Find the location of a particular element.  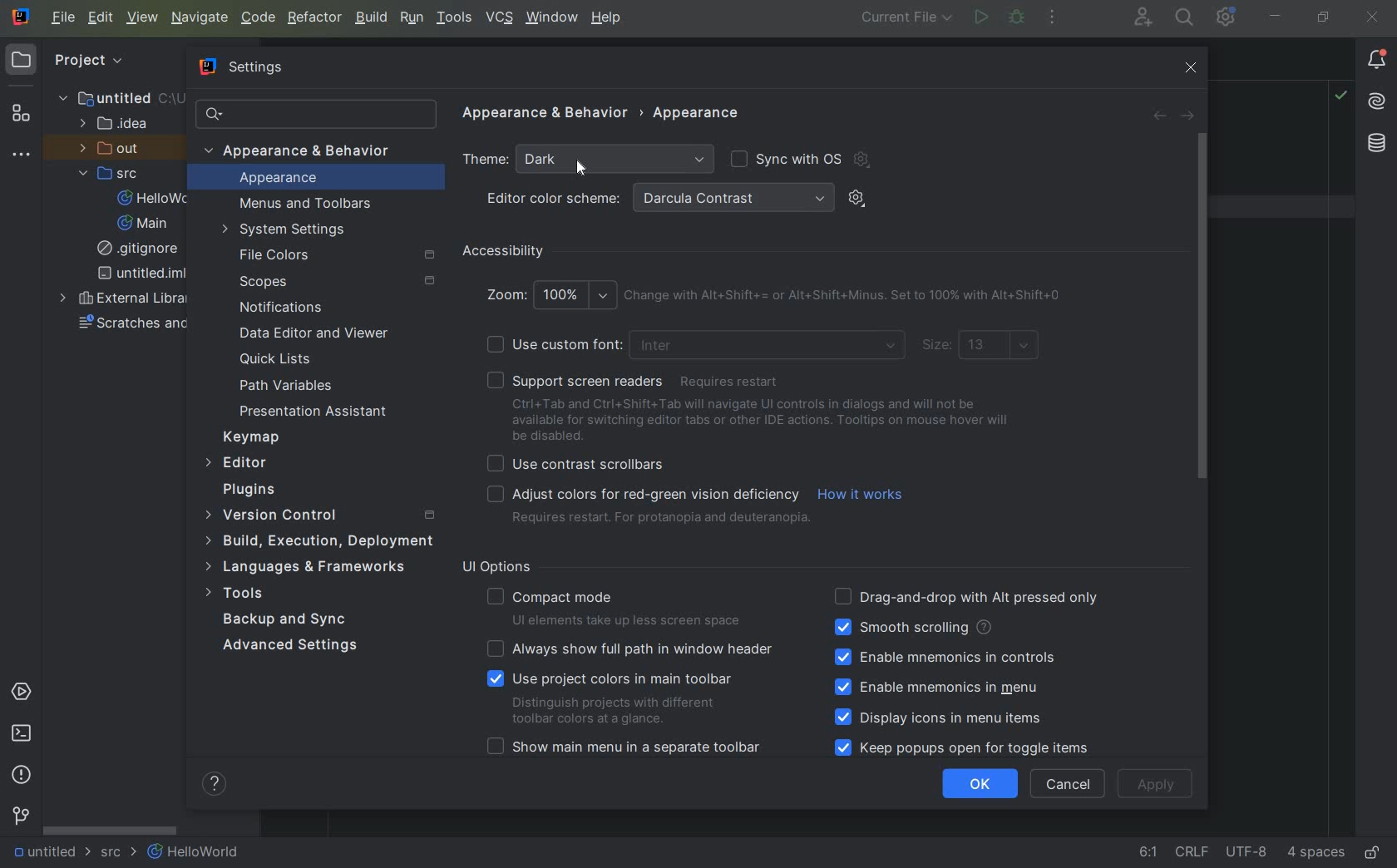

UNTITLED.iml is located at coordinates (136, 274).